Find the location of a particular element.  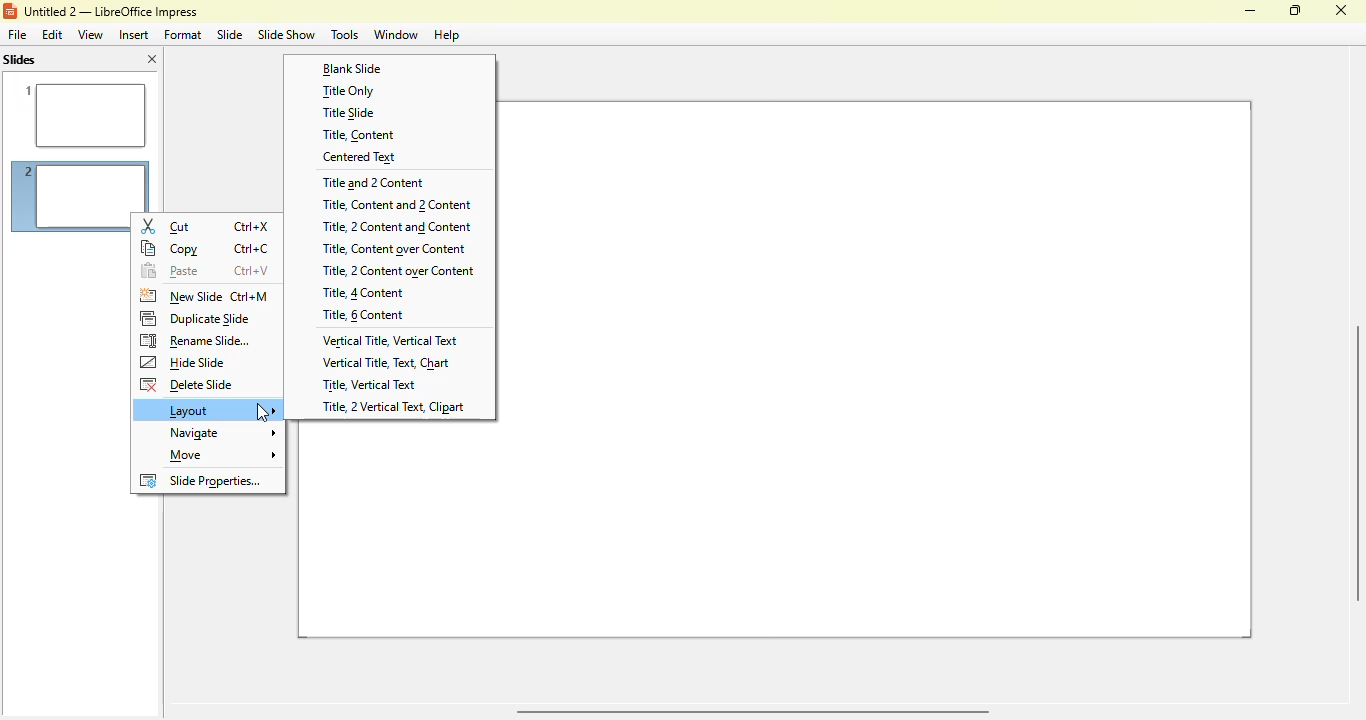

title, content is located at coordinates (359, 134).